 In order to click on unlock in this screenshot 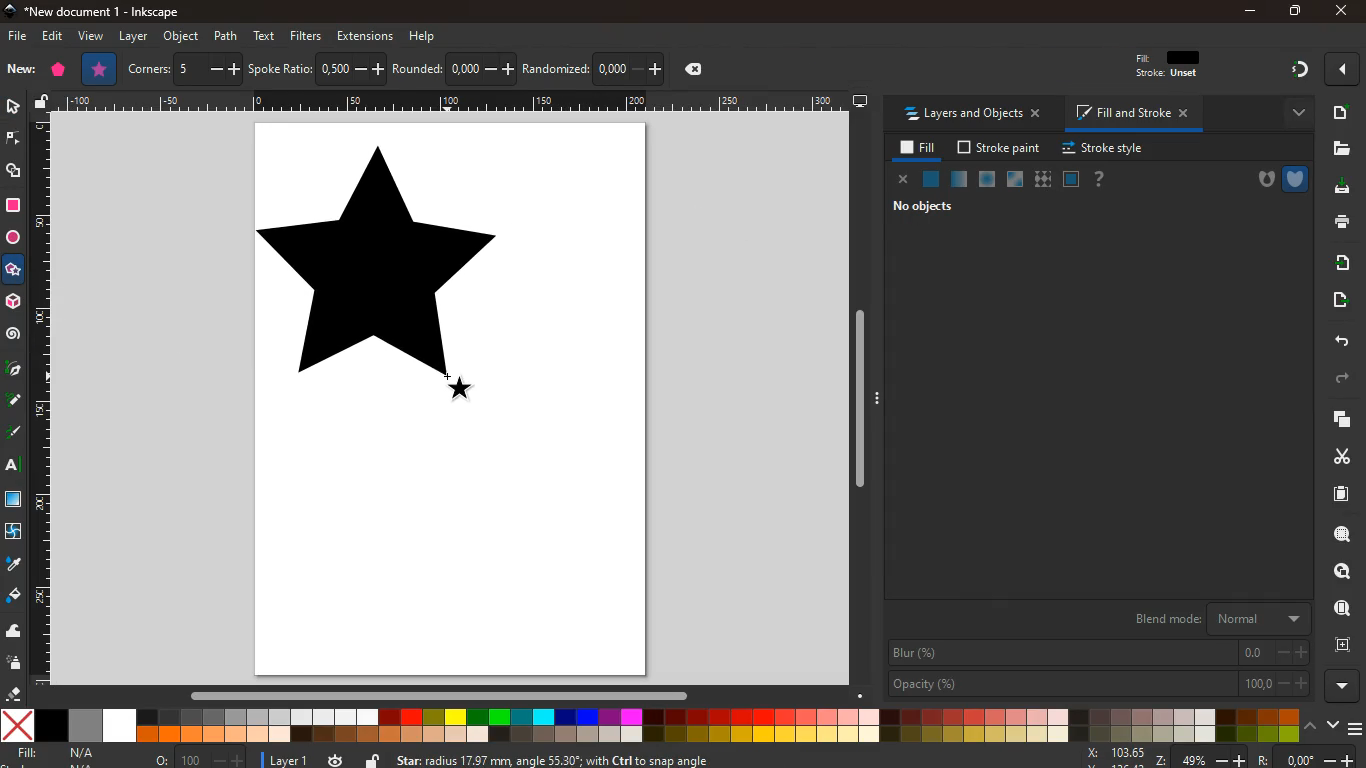, I will do `click(44, 103)`.